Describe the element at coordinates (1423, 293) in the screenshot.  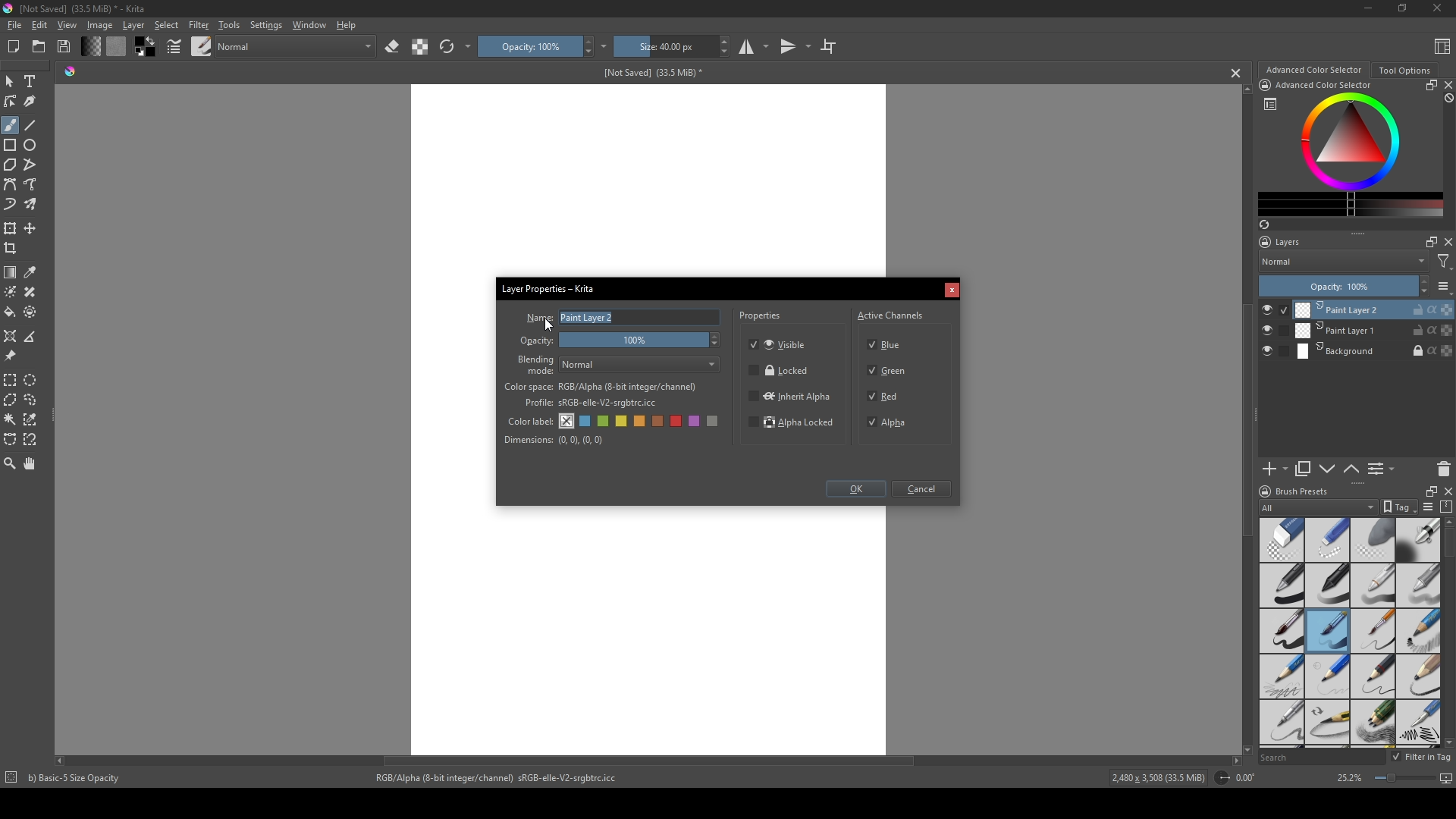
I see `decrease` at that location.